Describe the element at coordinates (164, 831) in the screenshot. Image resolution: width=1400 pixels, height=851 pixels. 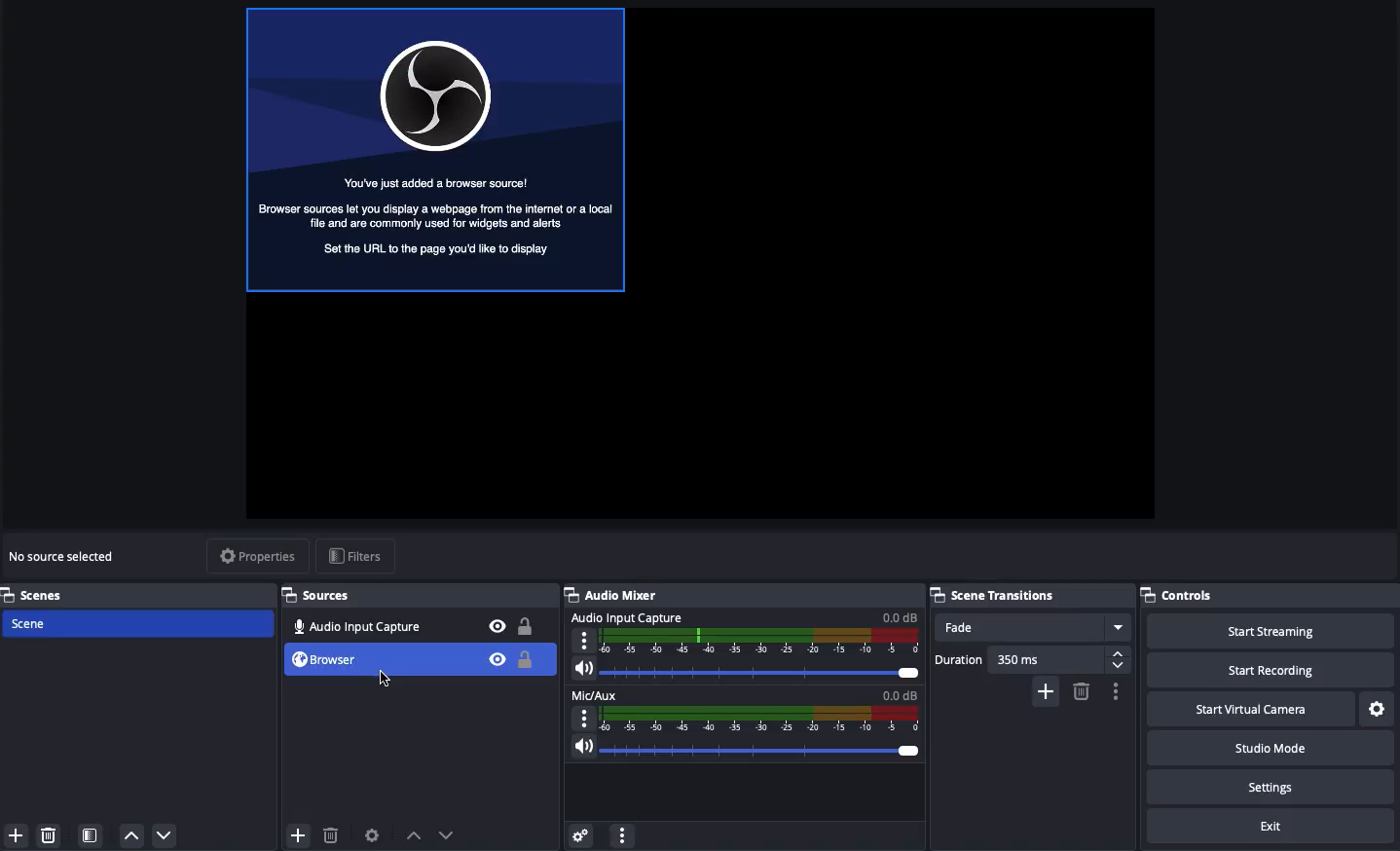
I see `Down` at that location.